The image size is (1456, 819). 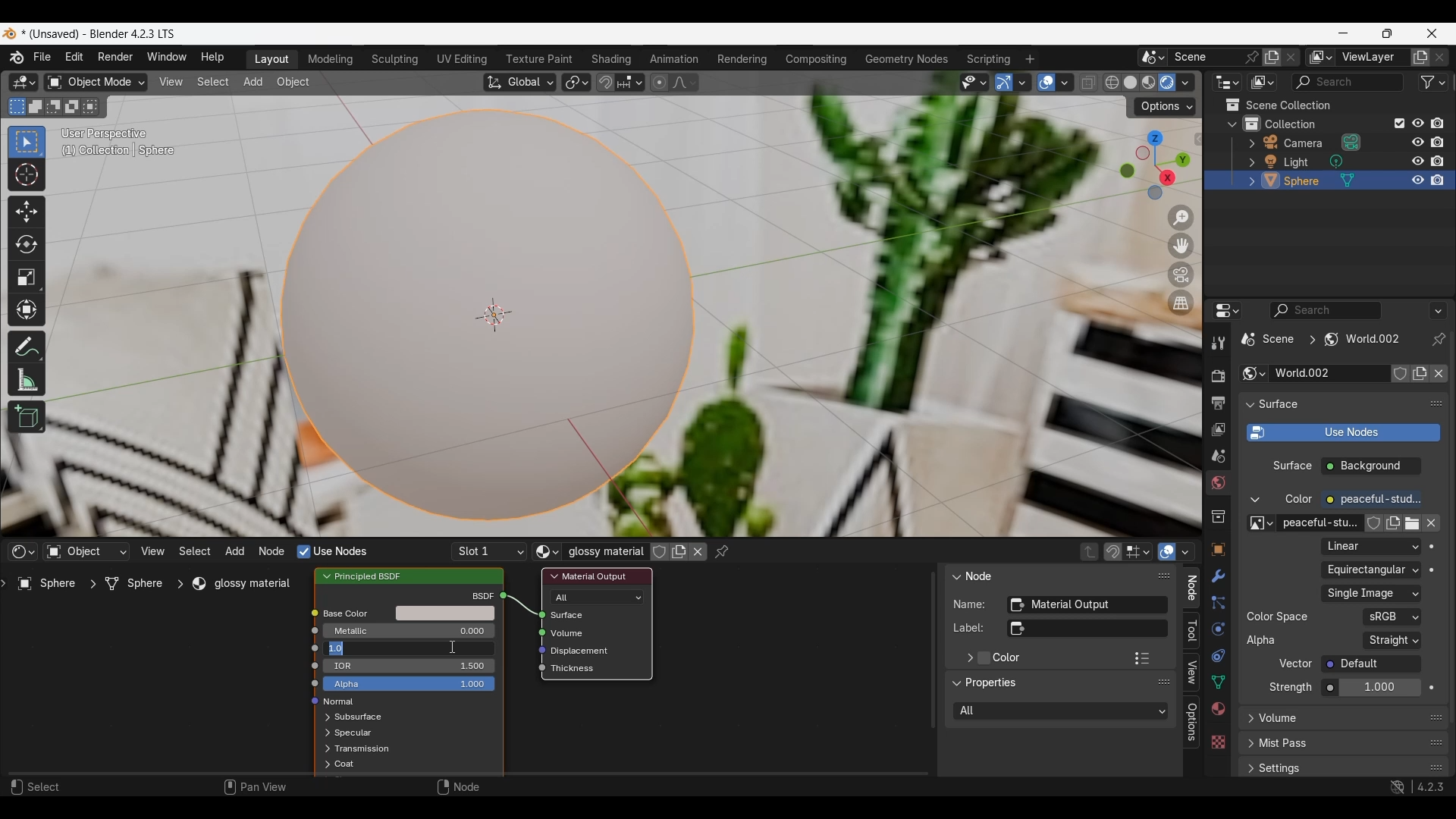 What do you see at coordinates (445, 613) in the screenshot?
I see `Base color options` at bounding box center [445, 613].